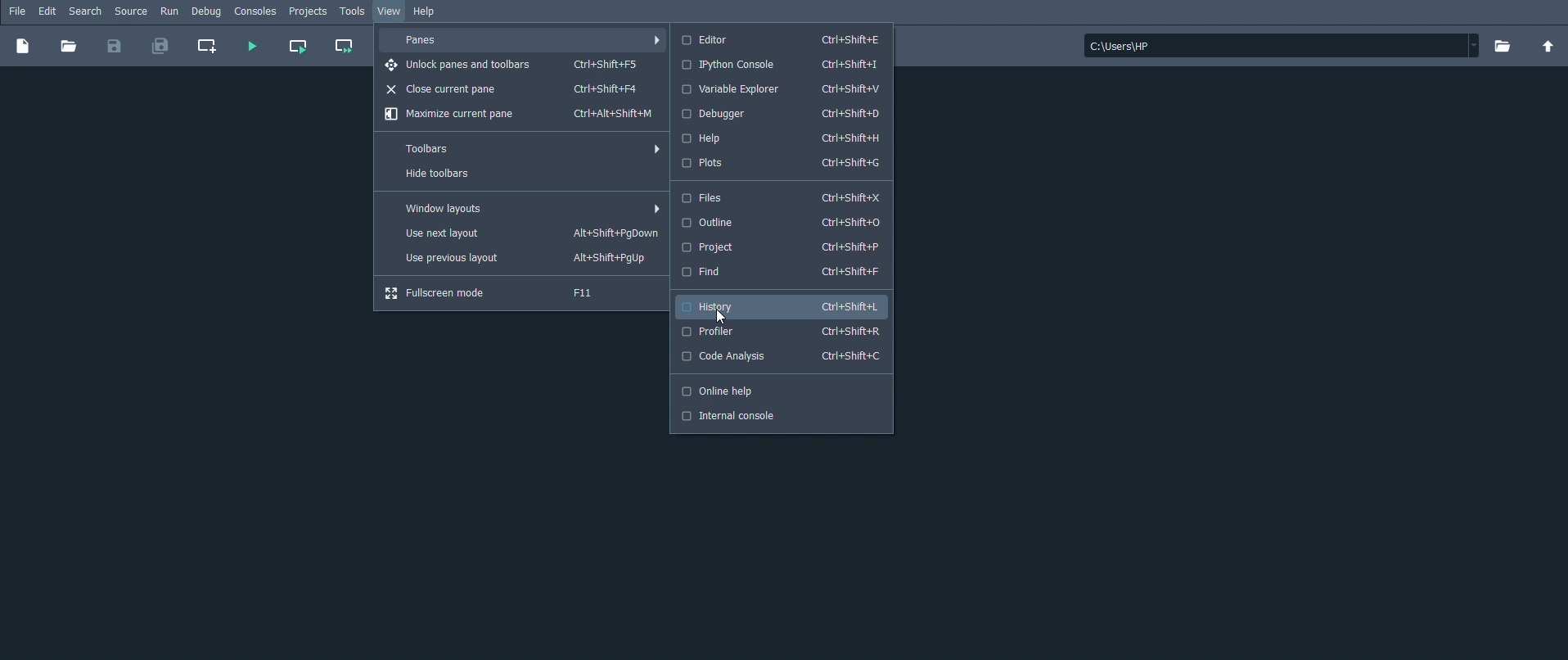 The width and height of the screenshot is (1568, 660). I want to click on New file, so click(23, 47).